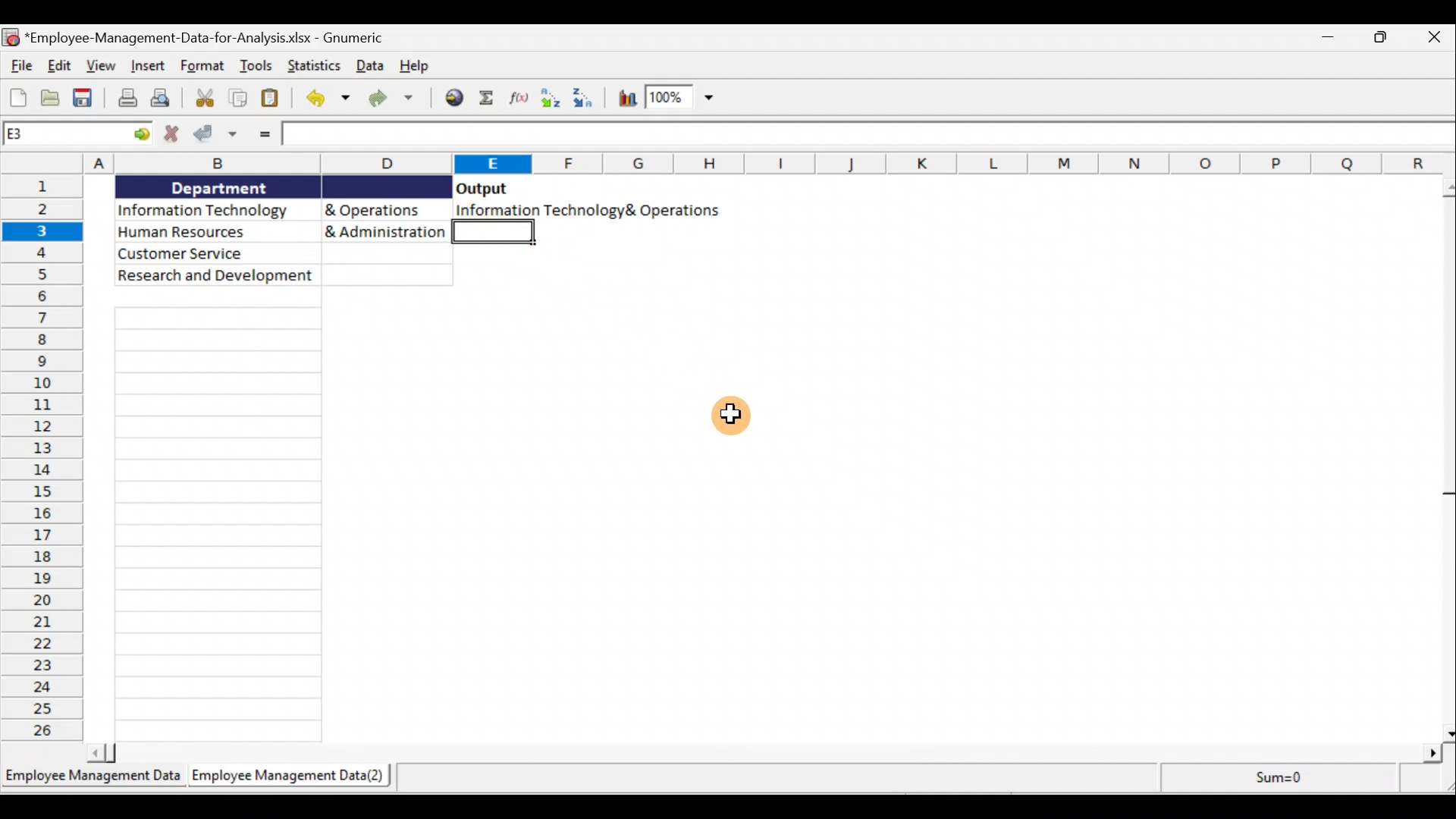 The width and height of the screenshot is (1456, 819). What do you see at coordinates (770, 164) in the screenshot?
I see `Columns` at bounding box center [770, 164].